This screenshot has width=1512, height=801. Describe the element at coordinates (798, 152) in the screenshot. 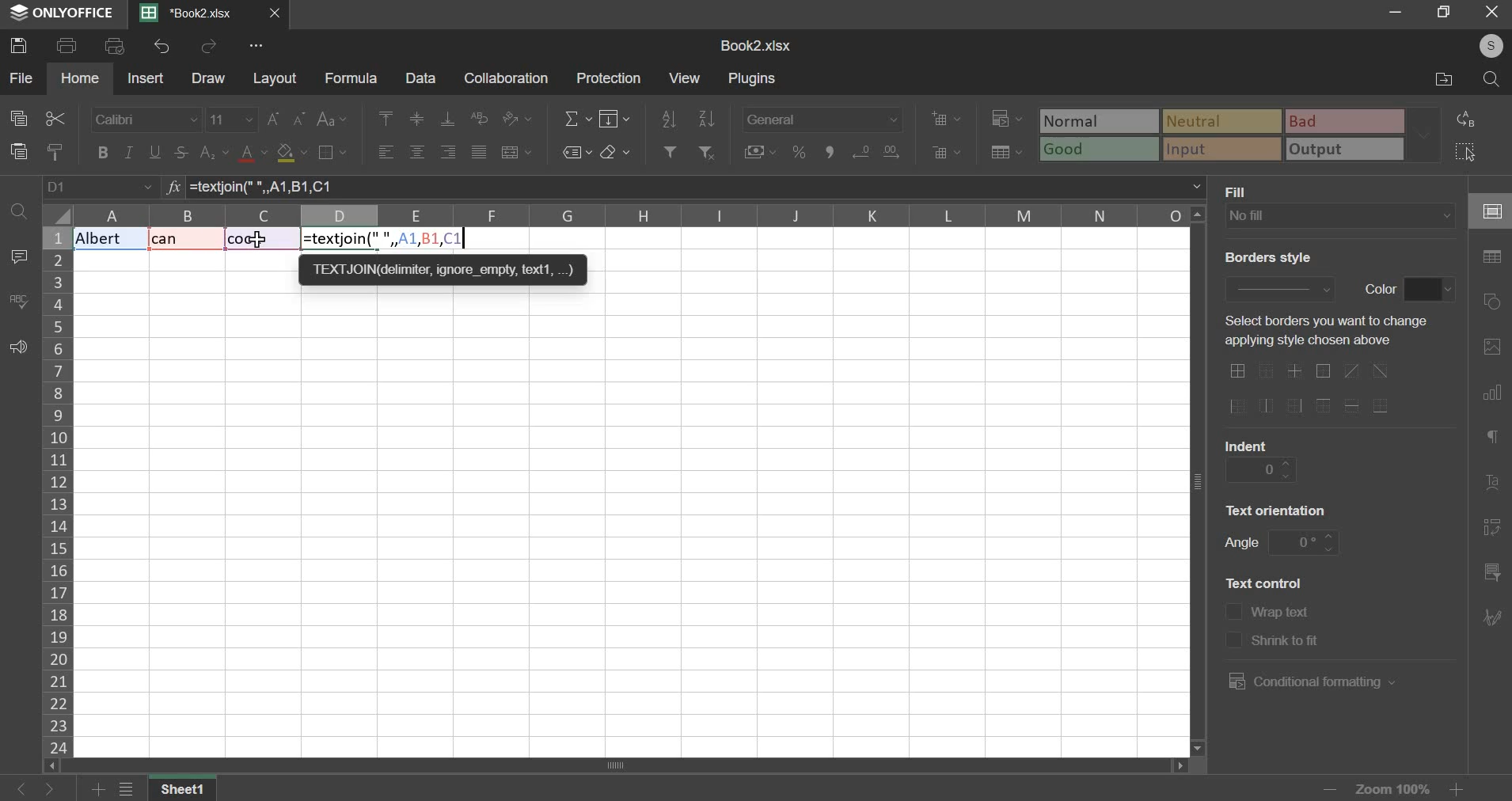

I see `percentage` at that location.